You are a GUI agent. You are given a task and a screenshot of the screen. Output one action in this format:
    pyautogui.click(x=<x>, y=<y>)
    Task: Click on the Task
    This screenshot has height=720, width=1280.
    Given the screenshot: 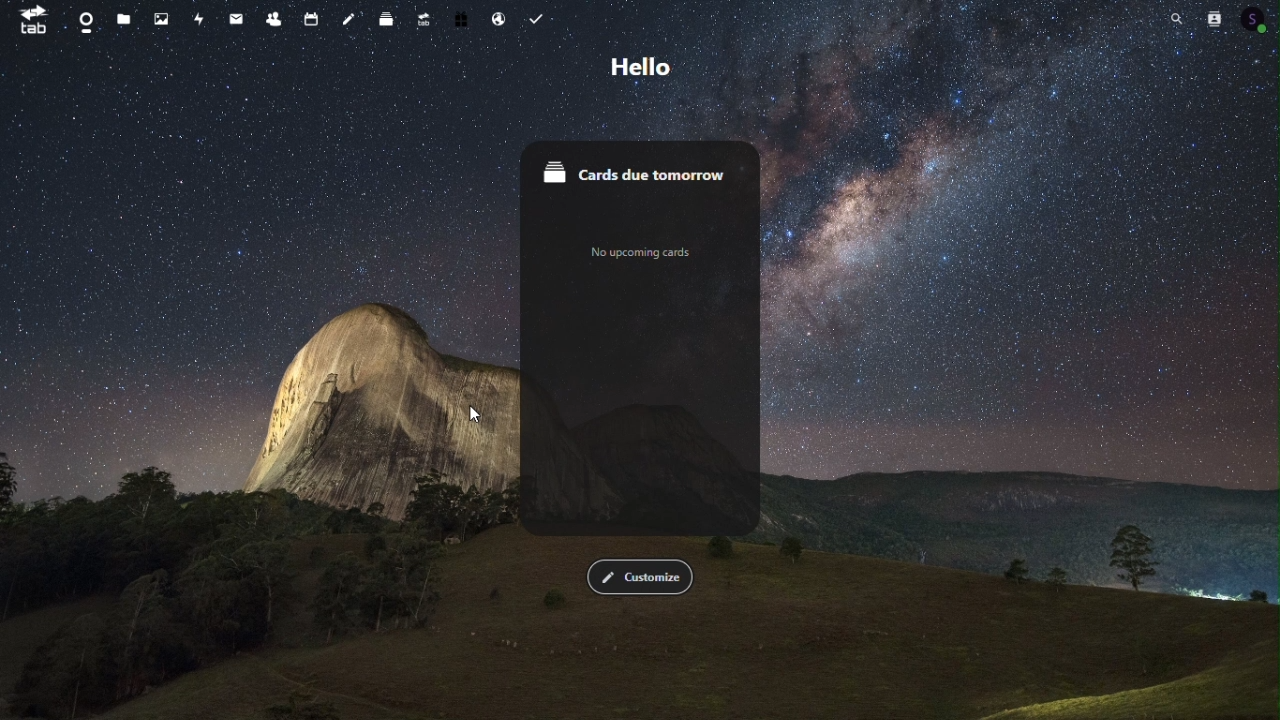 What is the action you would take?
    pyautogui.click(x=538, y=18)
    